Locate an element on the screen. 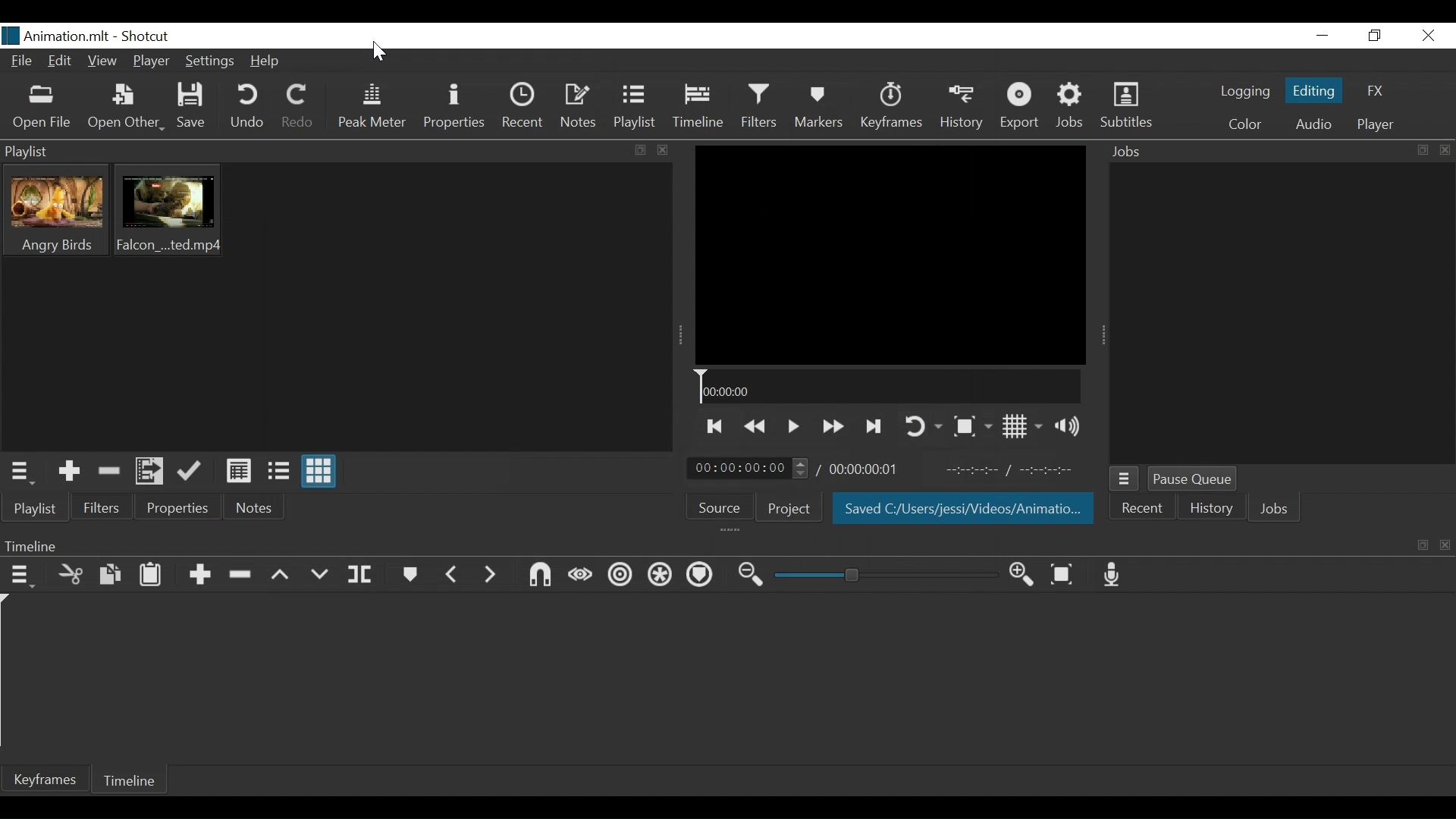  Player is located at coordinates (149, 63).